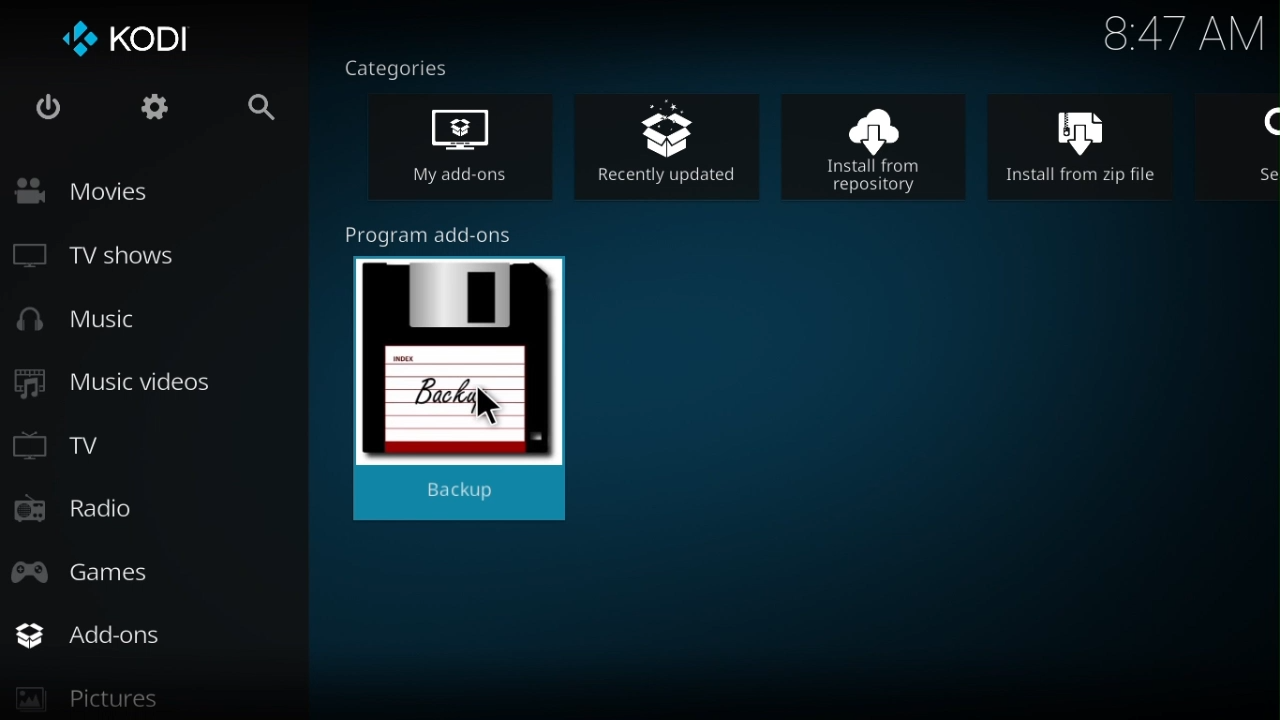 This screenshot has height=720, width=1280. Describe the element at coordinates (146, 112) in the screenshot. I see `Settings` at that location.